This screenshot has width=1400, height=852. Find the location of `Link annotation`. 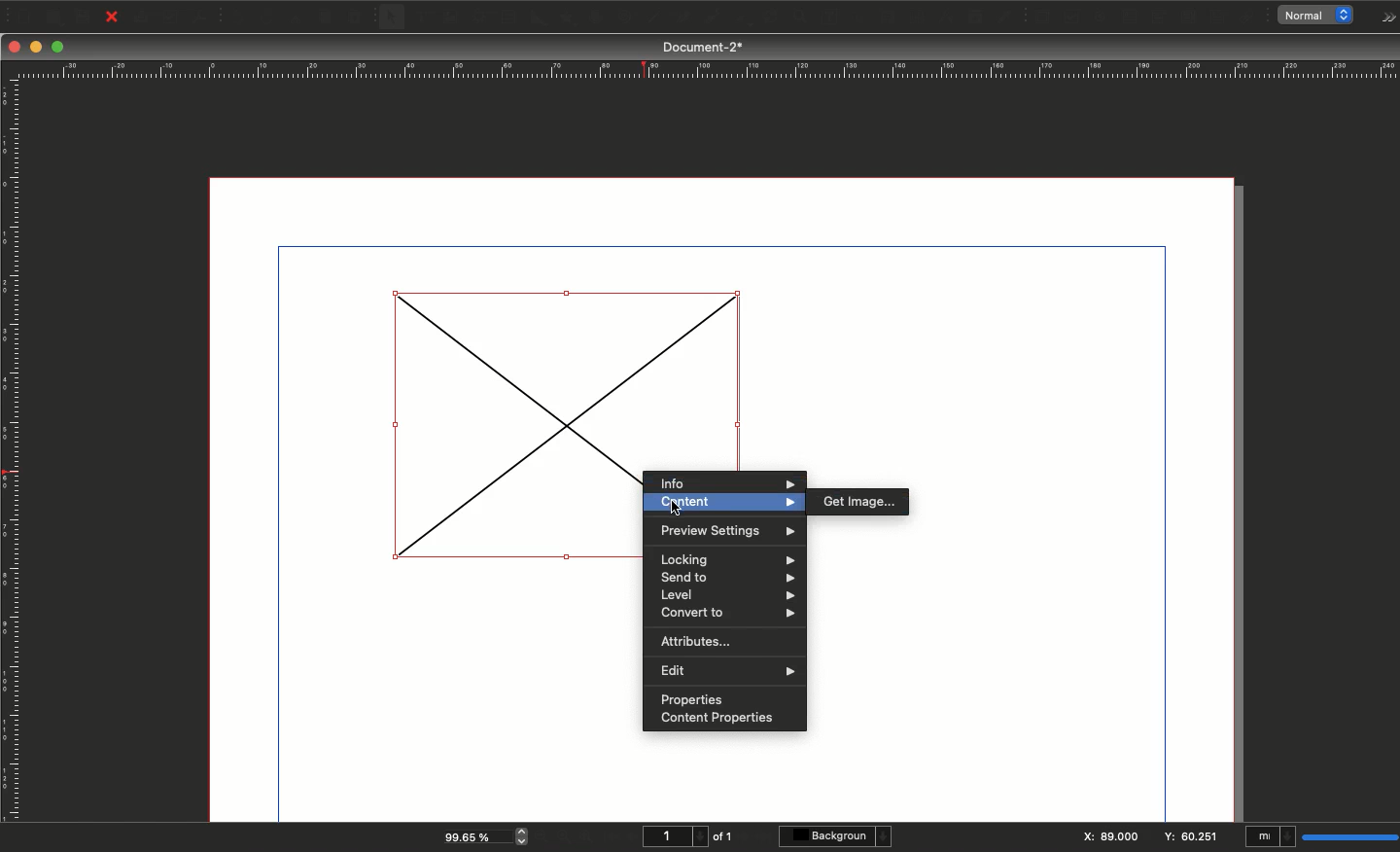

Link annotation is located at coordinates (1250, 18).